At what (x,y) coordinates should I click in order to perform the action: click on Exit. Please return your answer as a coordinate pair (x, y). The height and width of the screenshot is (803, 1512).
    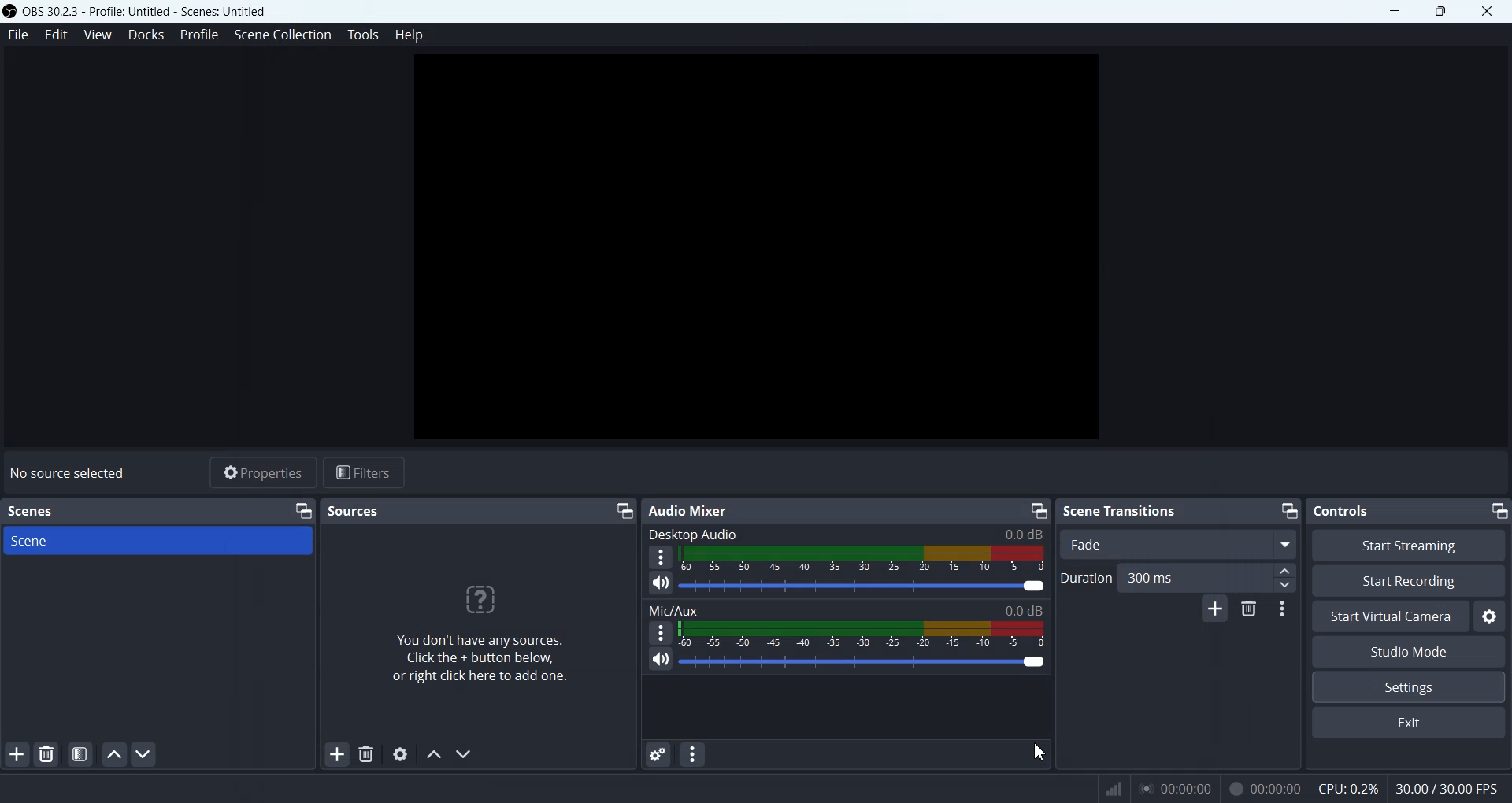
    Looking at the image, I should click on (1409, 723).